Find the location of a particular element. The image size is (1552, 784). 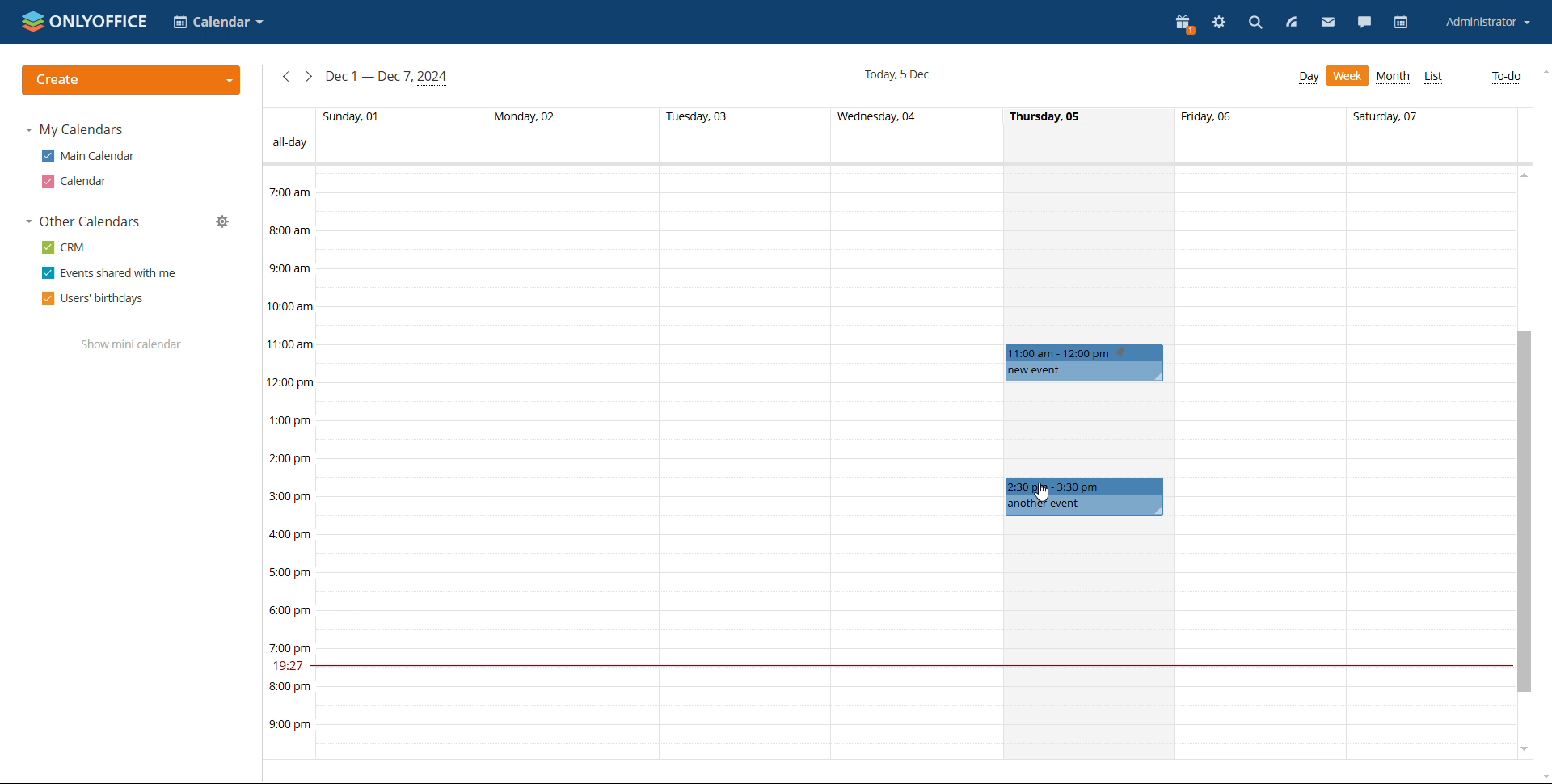

Tuesday, 03 is located at coordinates (701, 116).